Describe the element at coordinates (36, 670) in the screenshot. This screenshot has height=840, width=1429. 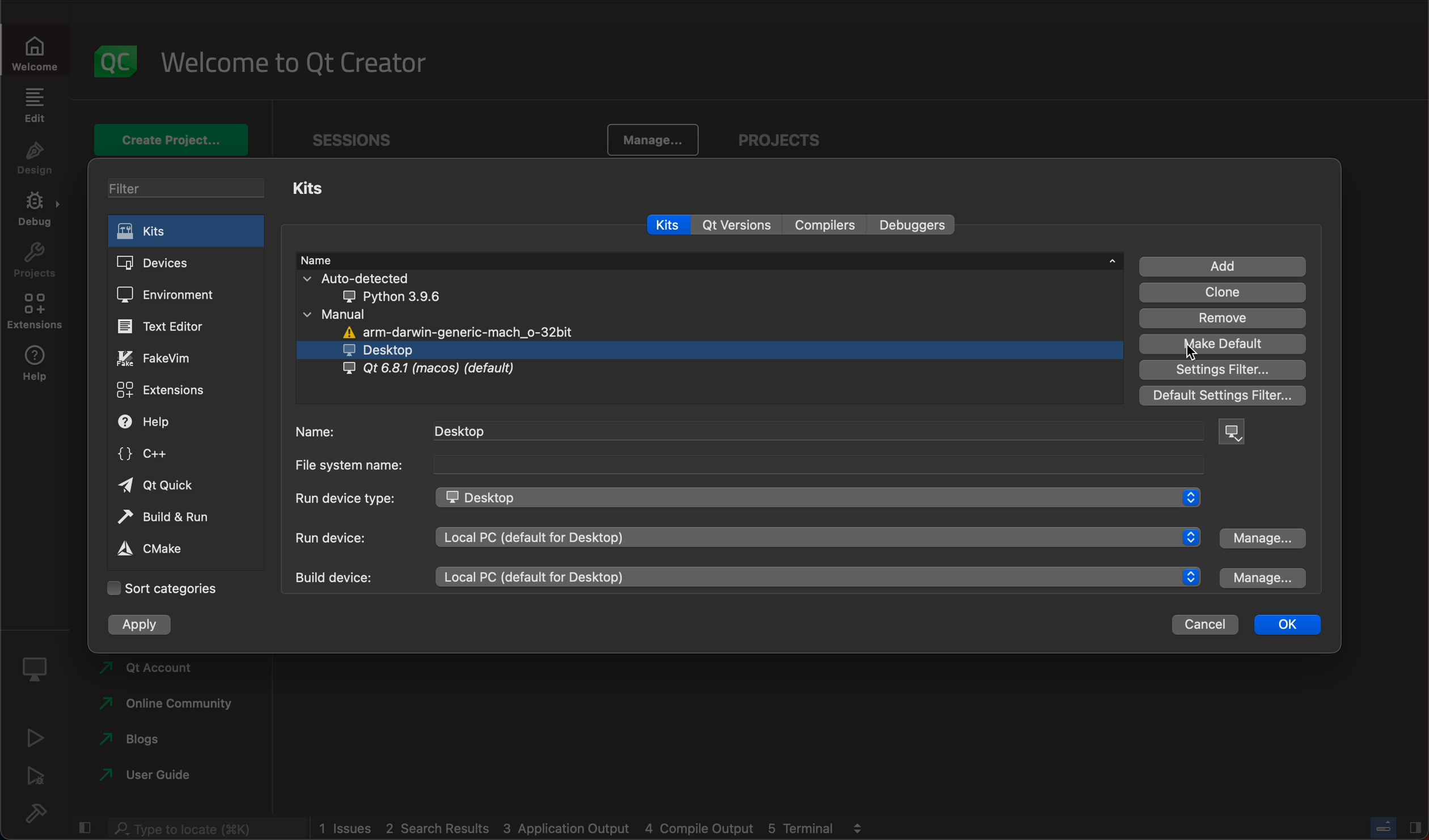
I see `kit selector` at that location.